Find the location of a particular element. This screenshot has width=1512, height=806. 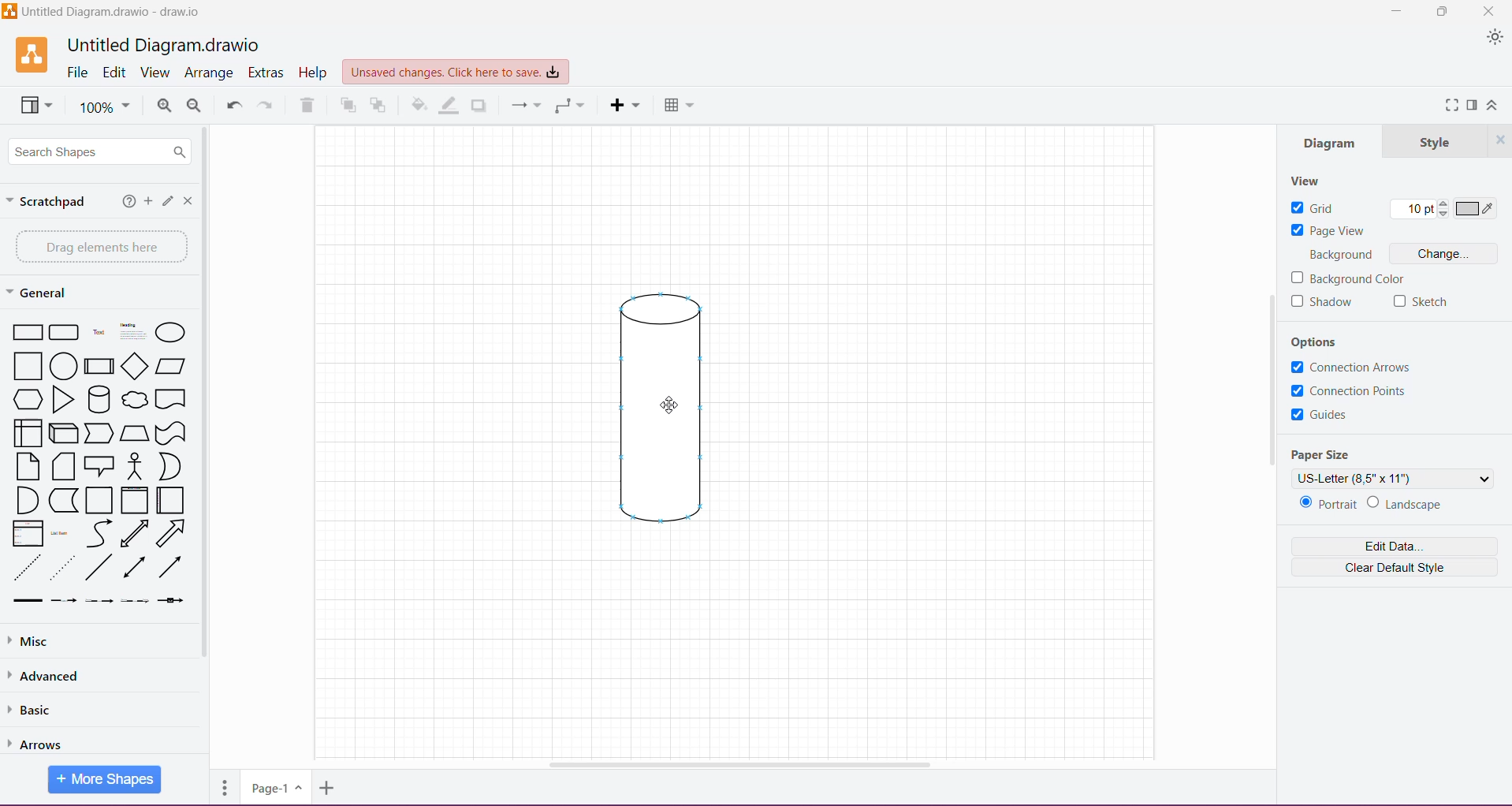

Set grid color is located at coordinates (1477, 209).